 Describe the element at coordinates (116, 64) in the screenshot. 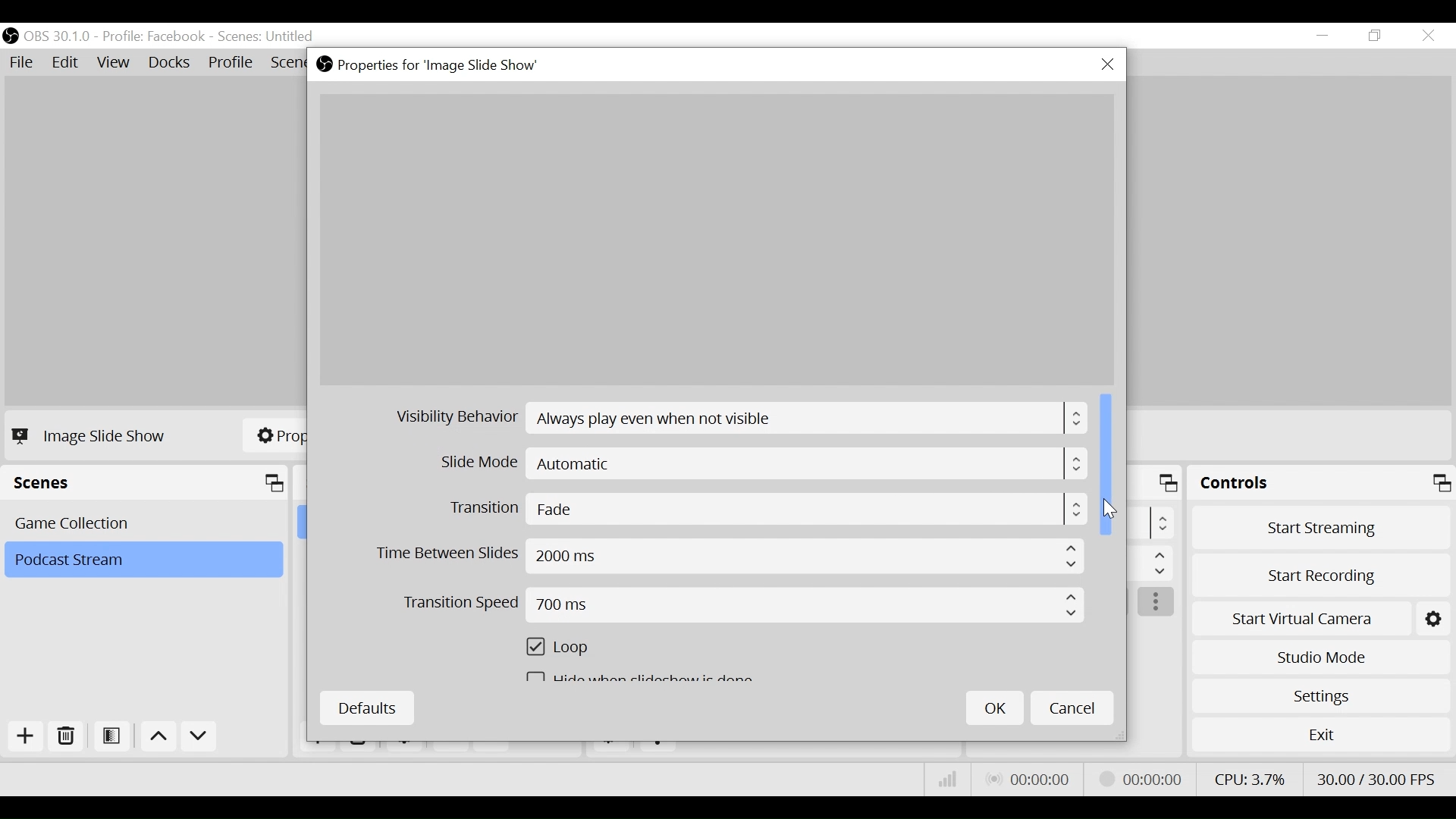

I see `View` at that location.